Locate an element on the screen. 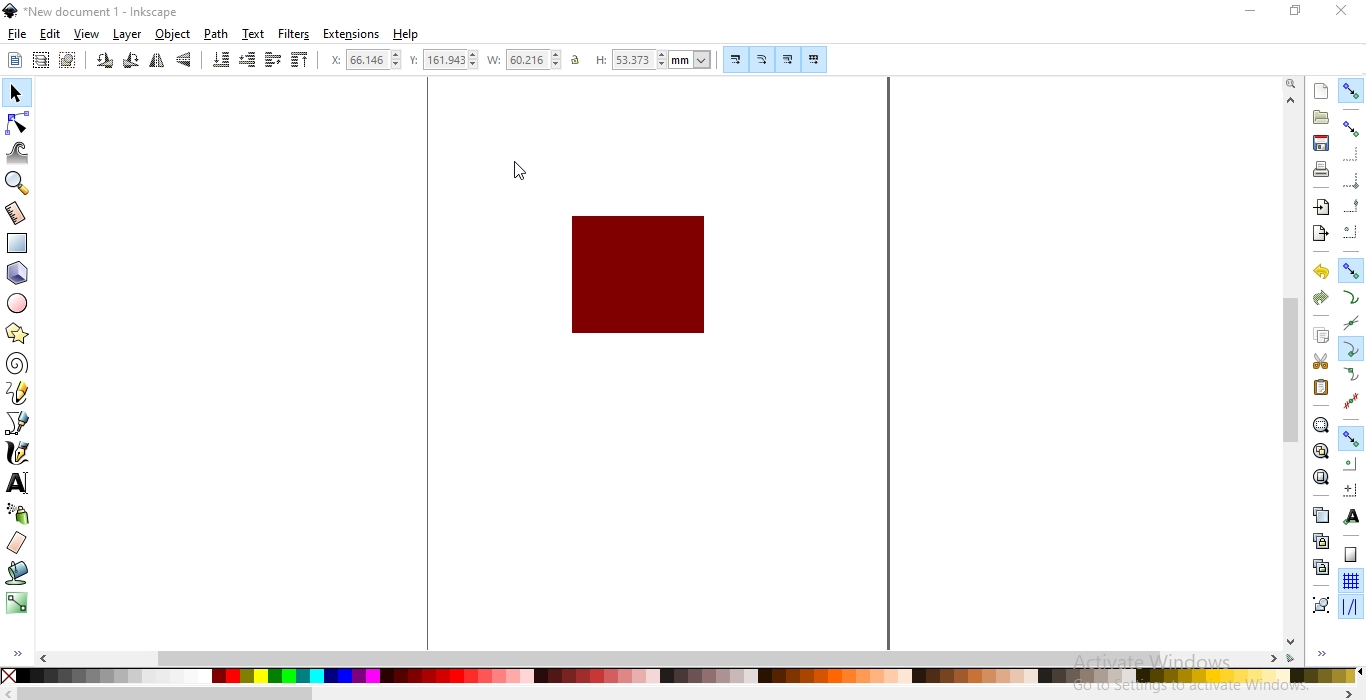 Image resolution: width=1366 pixels, height=700 pixels. raise selection to top is located at coordinates (297, 61).